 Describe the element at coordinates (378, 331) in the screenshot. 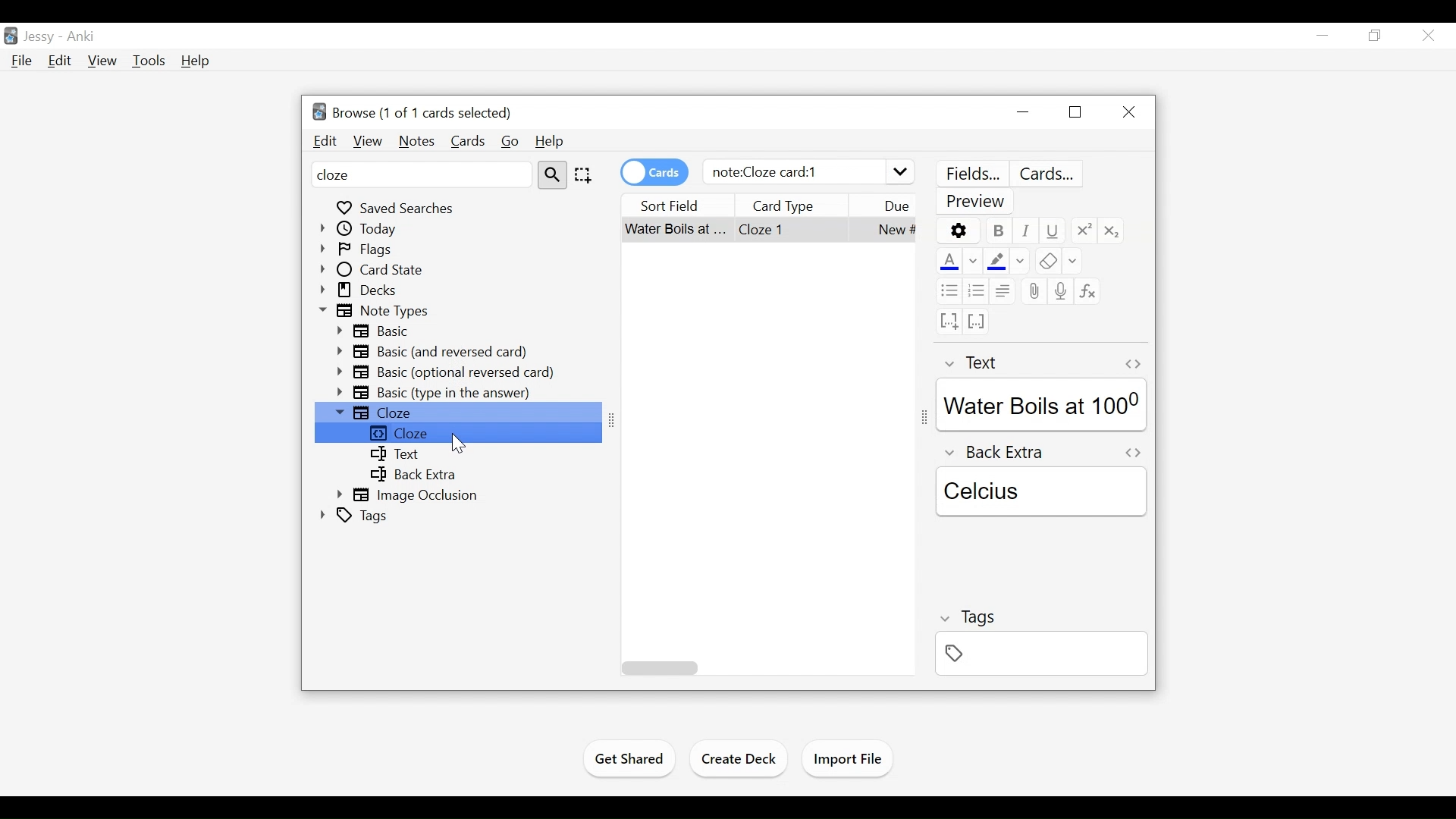

I see `Basic` at that location.